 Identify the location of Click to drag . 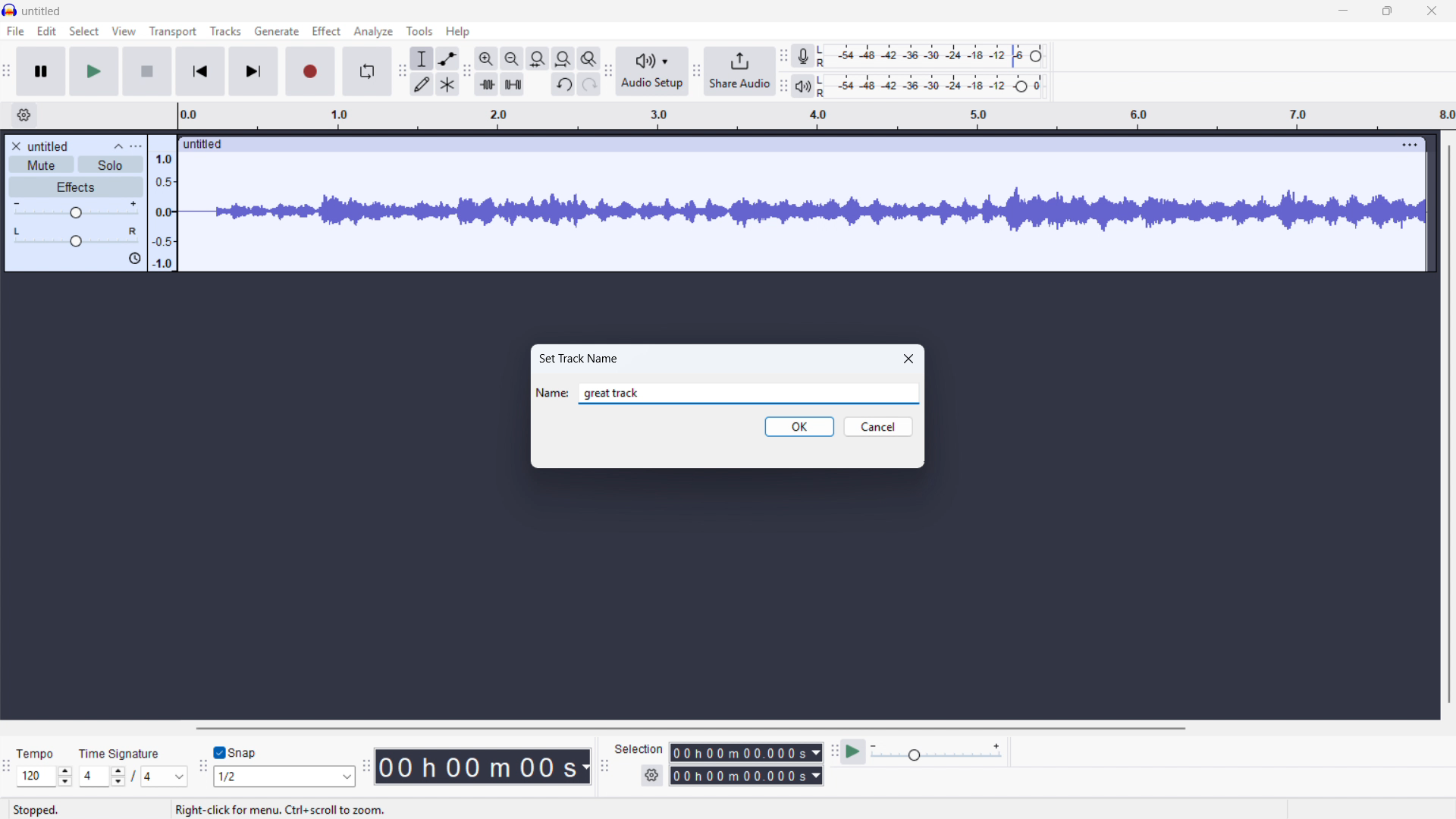
(785, 145).